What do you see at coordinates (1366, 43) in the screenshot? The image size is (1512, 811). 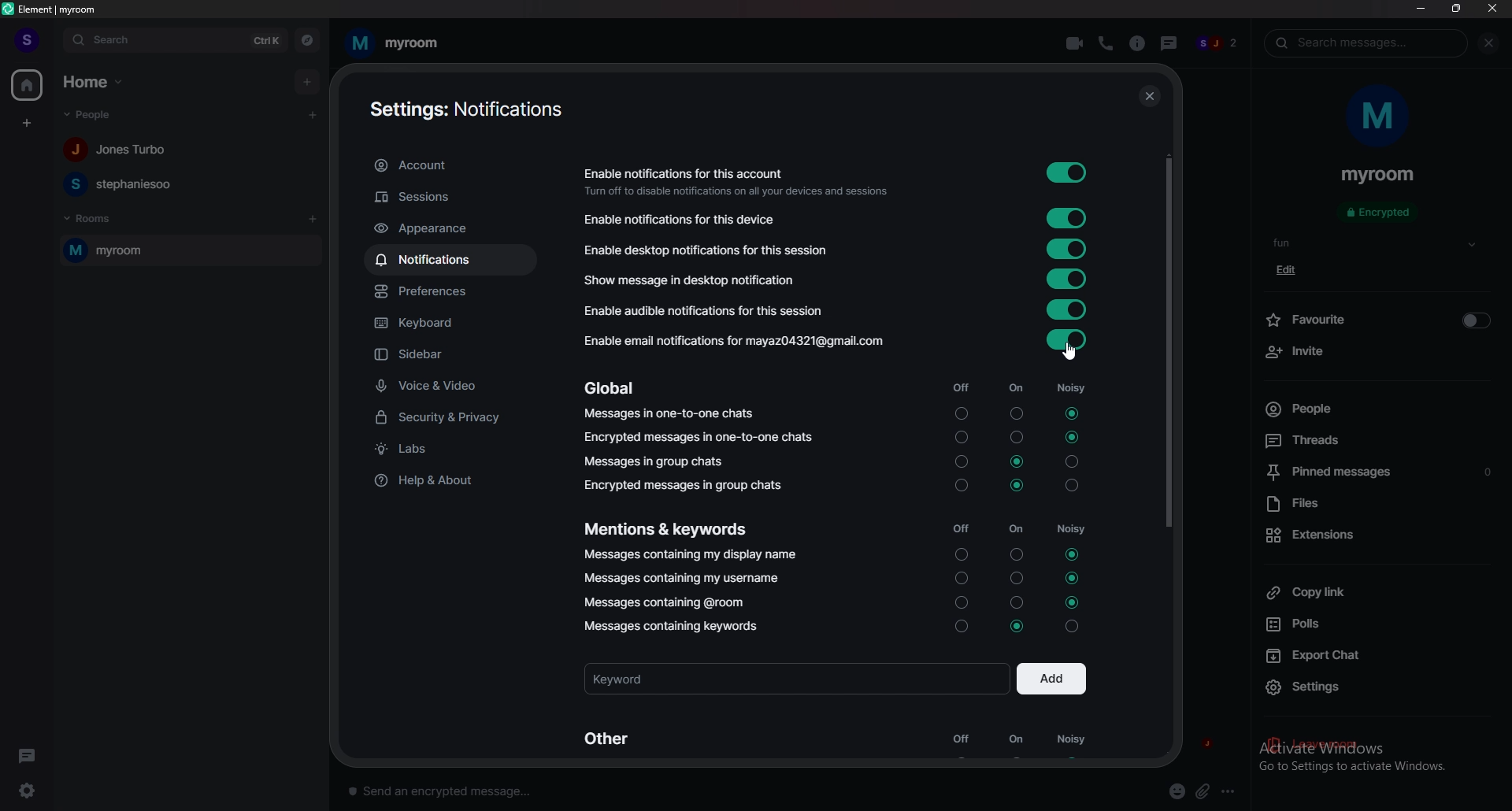 I see `search messages` at bounding box center [1366, 43].